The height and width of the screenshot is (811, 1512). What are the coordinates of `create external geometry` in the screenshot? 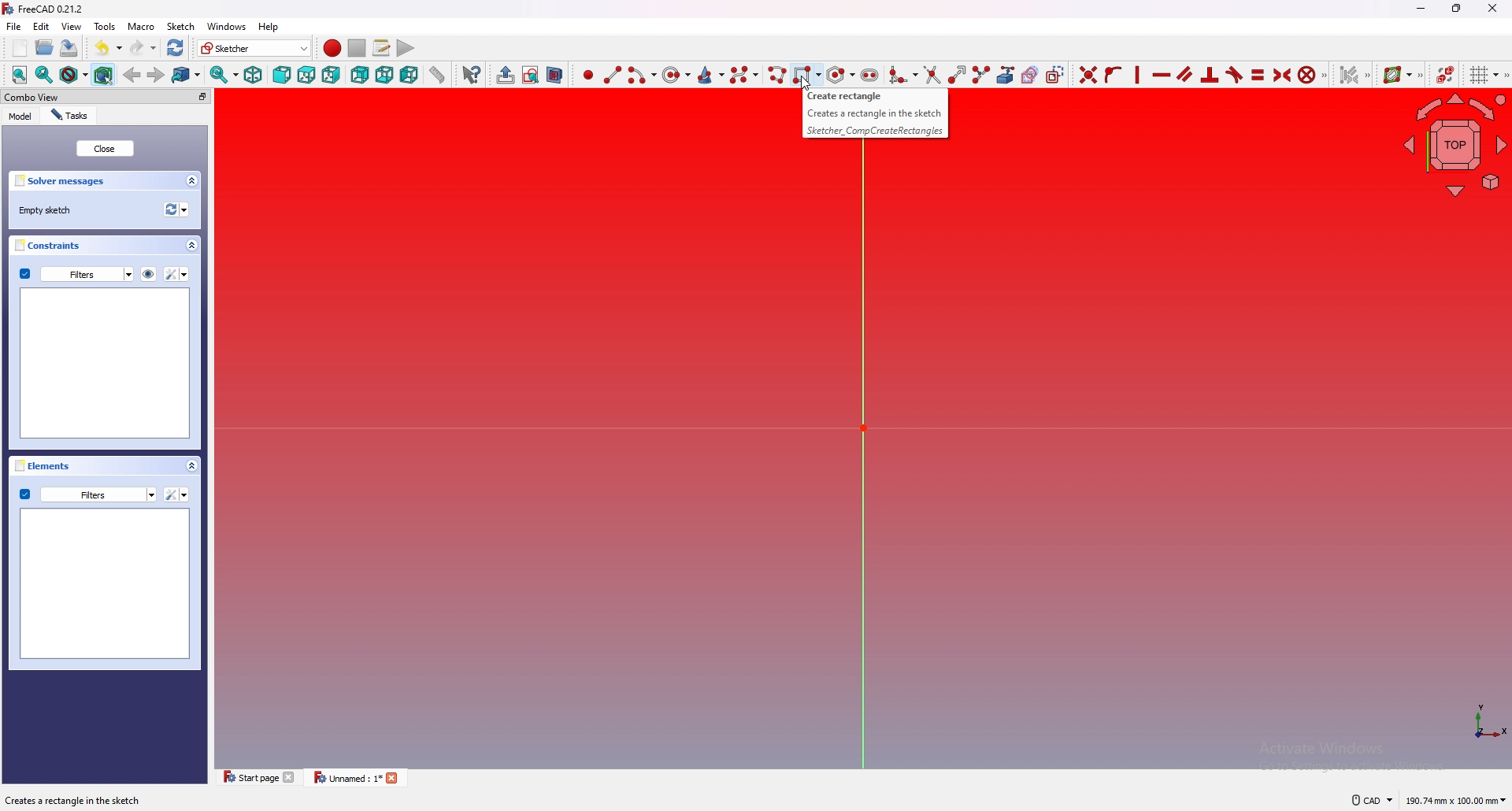 It's located at (1006, 75).